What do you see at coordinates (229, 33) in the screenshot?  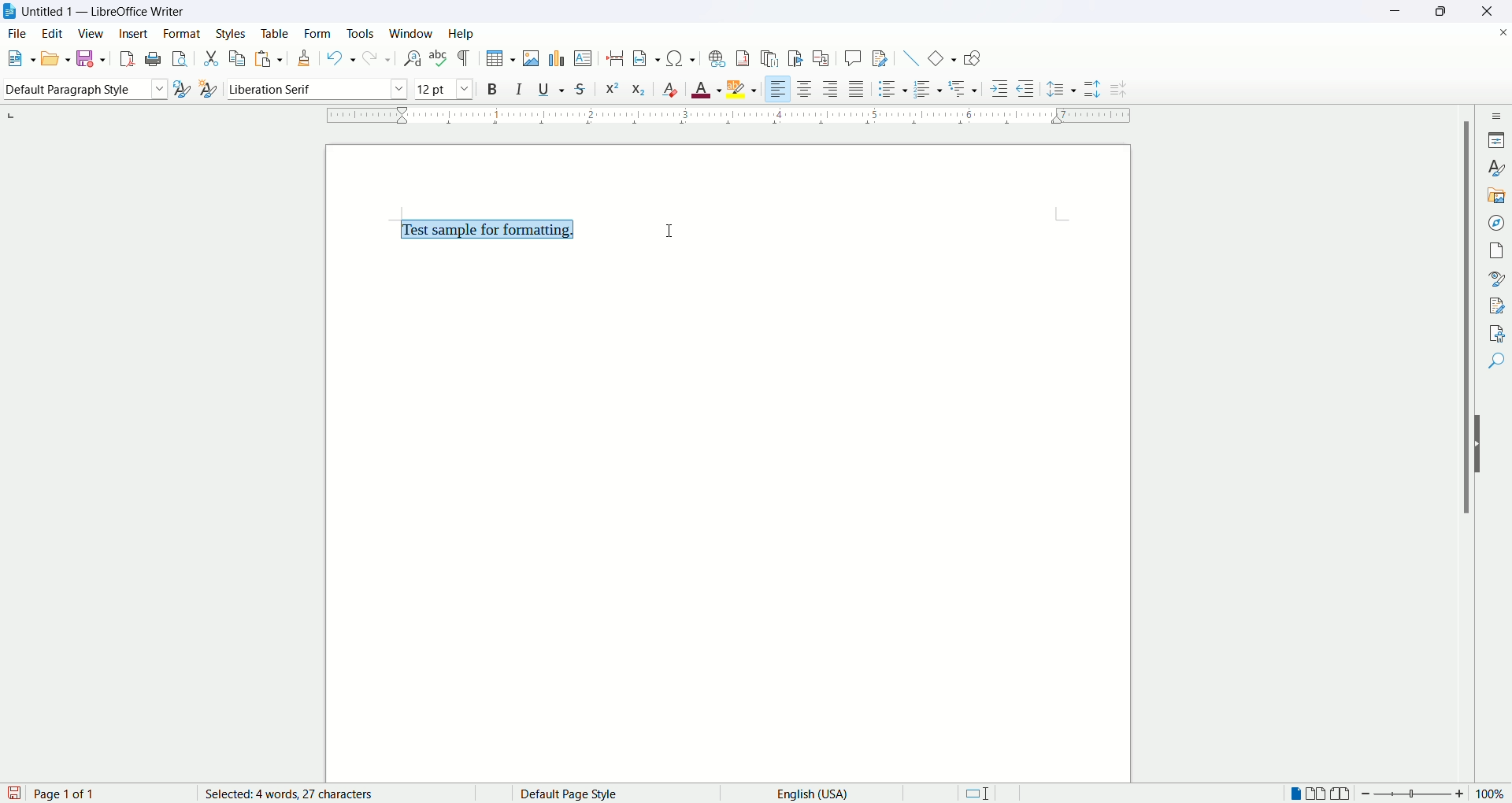 I see `style` at bounding box center [229, 33].